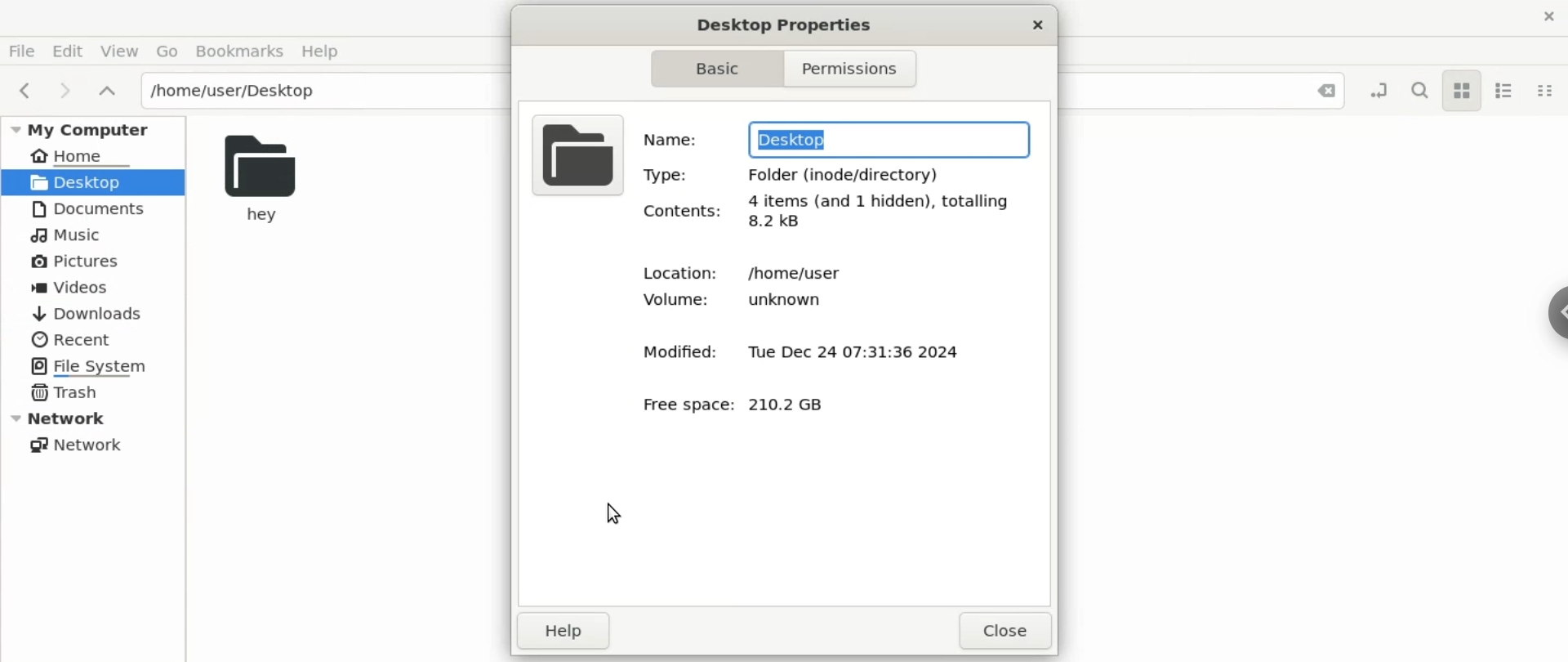 The width and height of the screenshot is (1568, 662). Describe the element at coordinates (93, 313) in the screenshot. I see `downloads` at that location.